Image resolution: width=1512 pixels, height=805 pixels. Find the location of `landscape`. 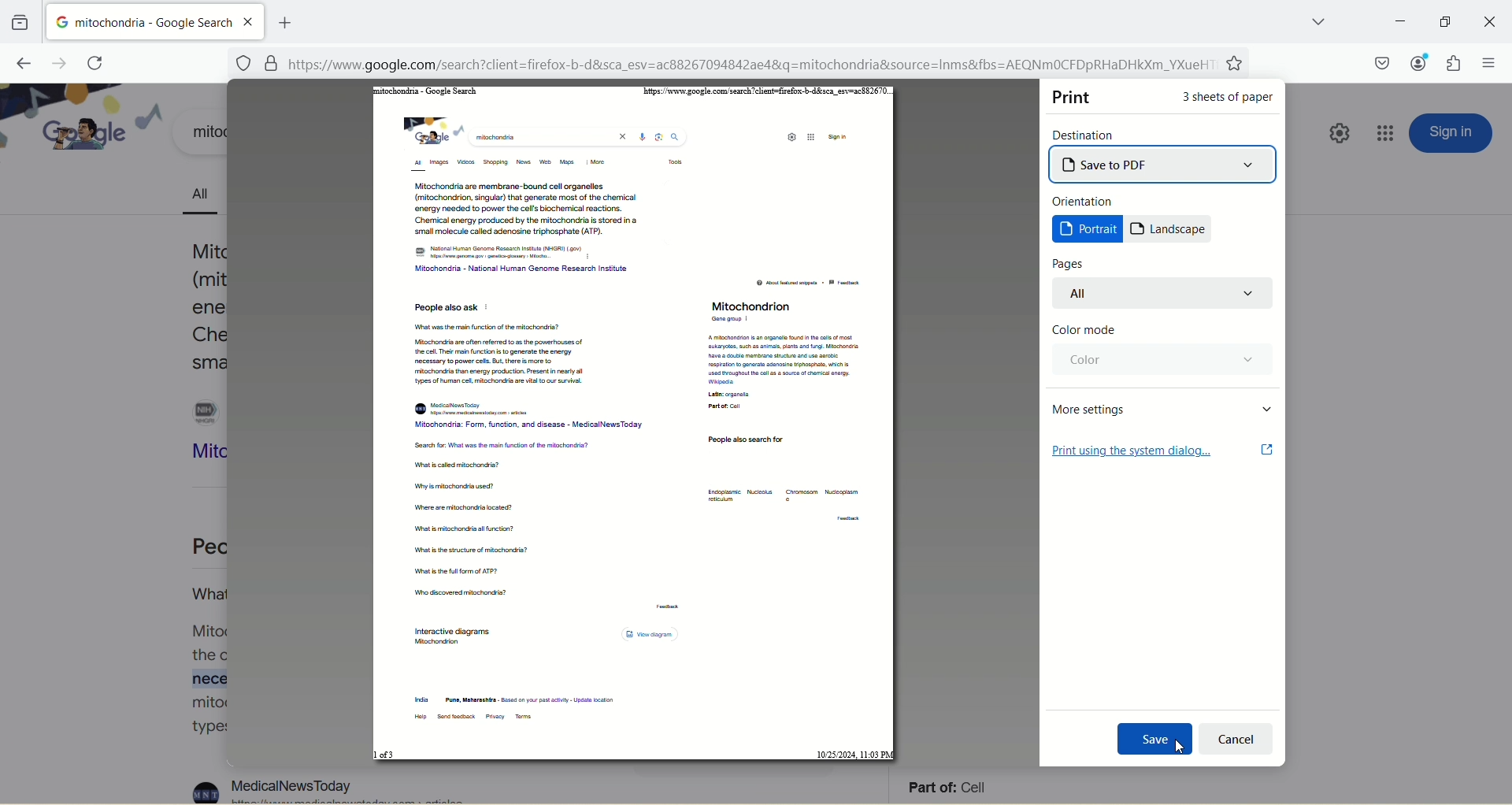

landscape is located at coordinates (1170, 230).